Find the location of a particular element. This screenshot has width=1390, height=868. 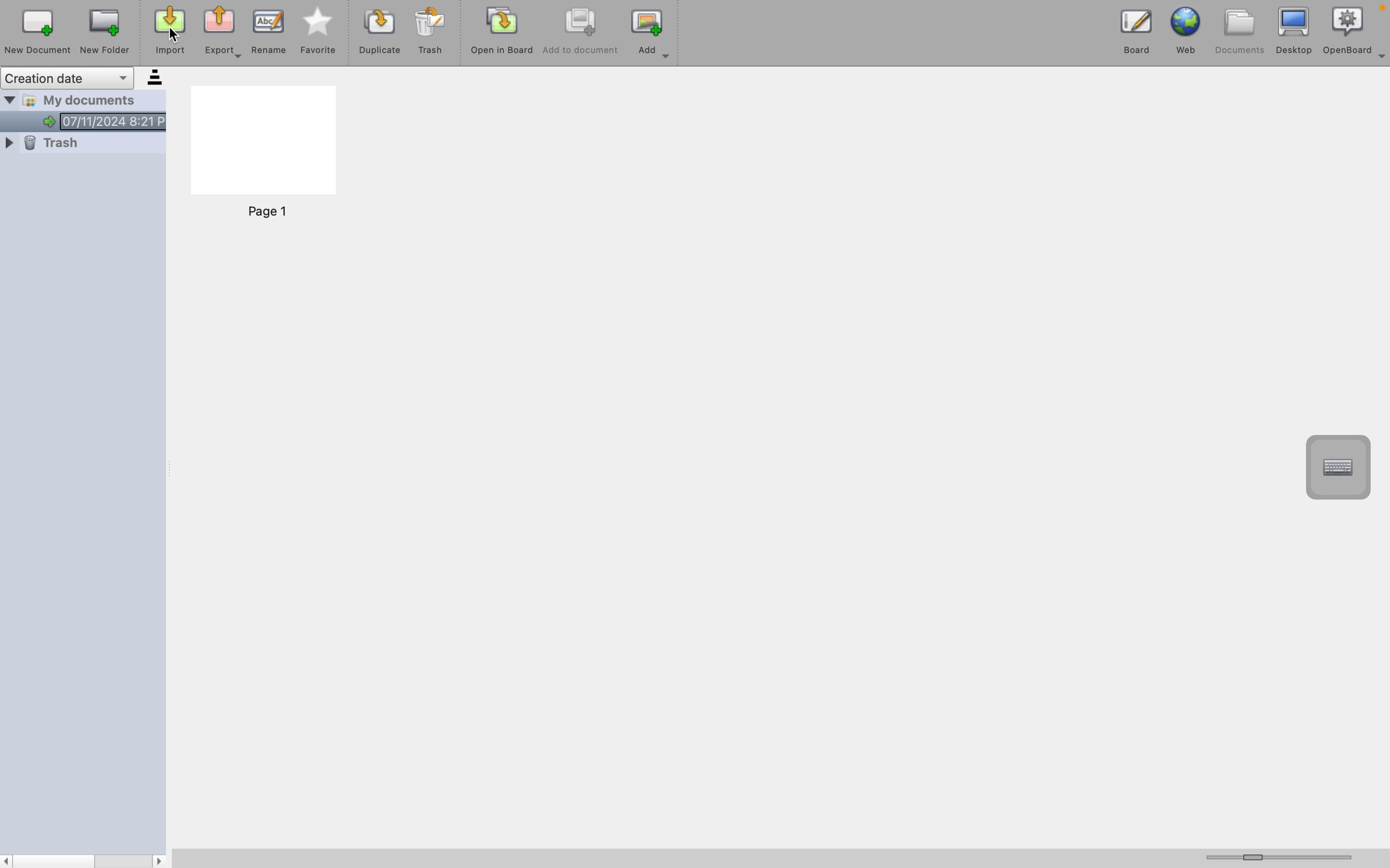

web is located at coordinates (1187, 29).